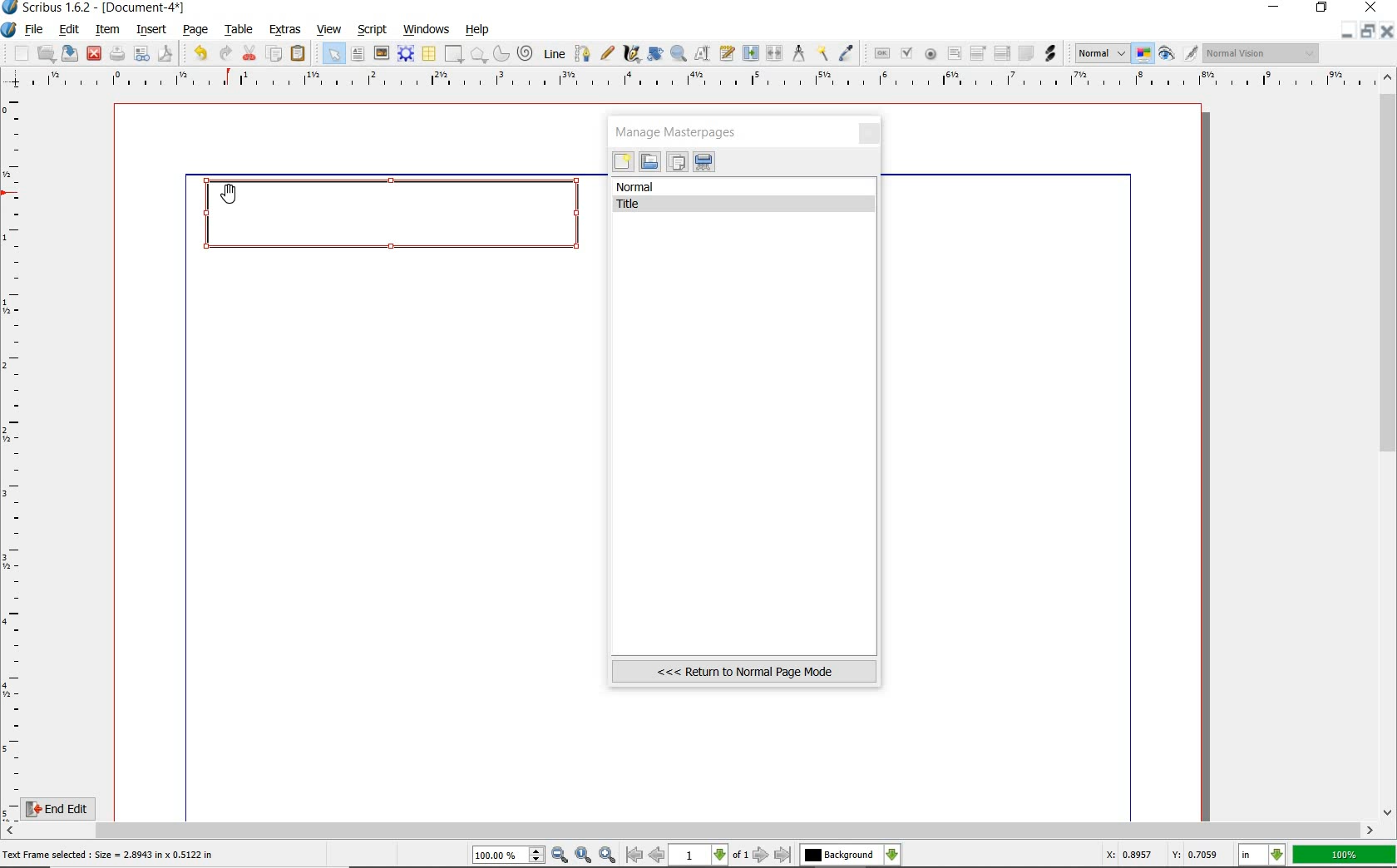  I want to click on ruler, so click(699, 81).